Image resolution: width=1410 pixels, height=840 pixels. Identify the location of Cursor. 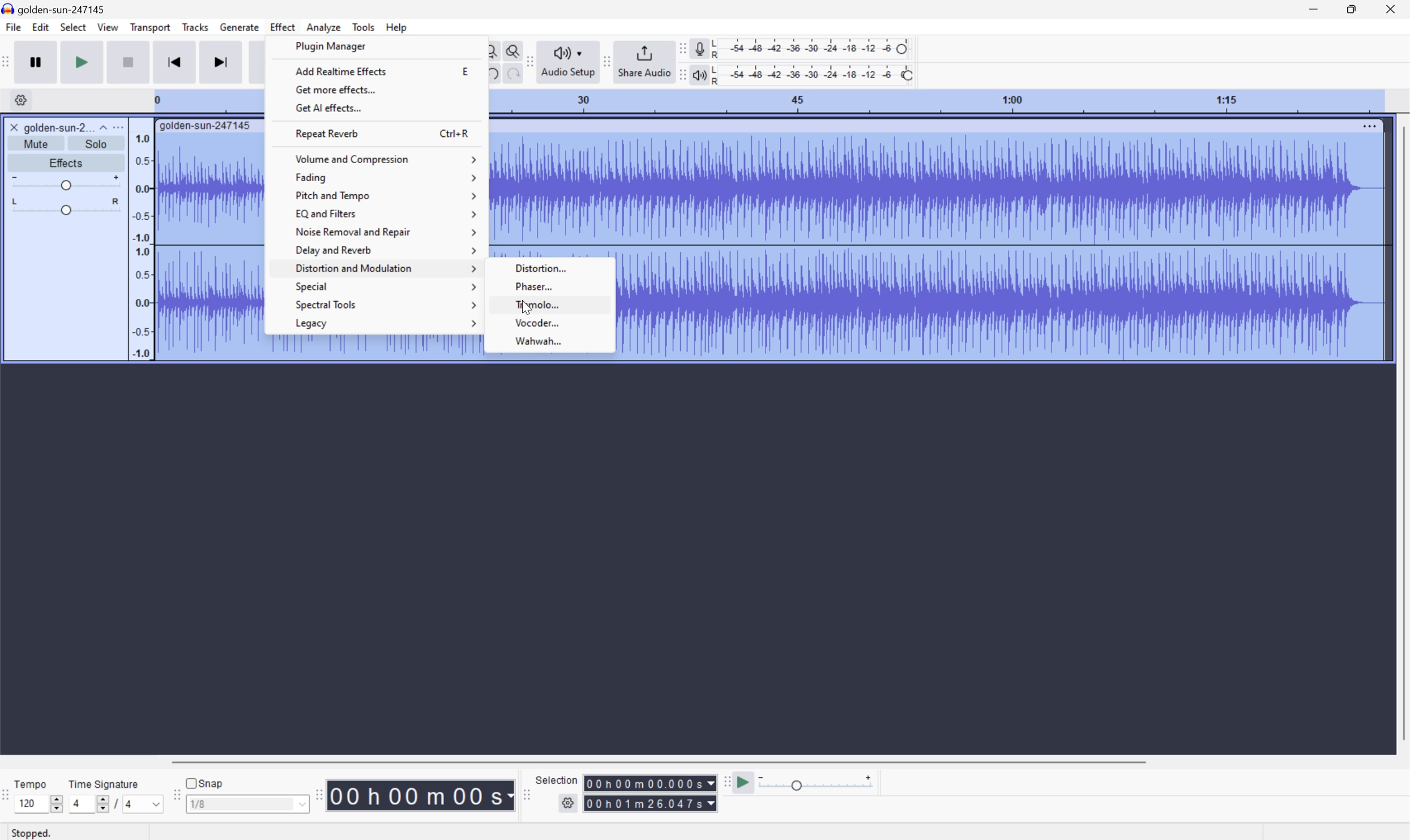
(528, 308).